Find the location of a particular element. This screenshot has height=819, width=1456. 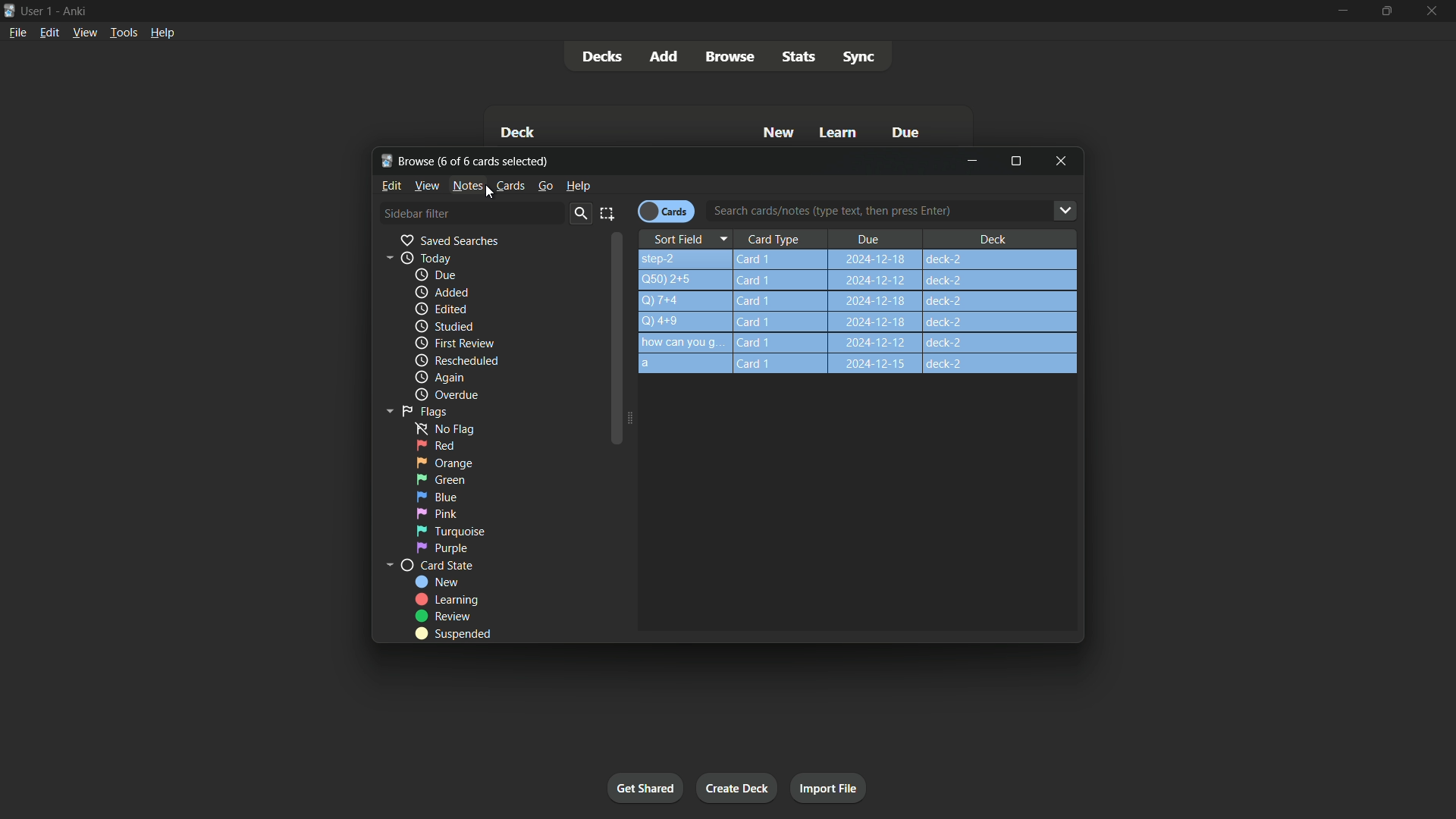

Tools menu is located at coordinates (121, 33).